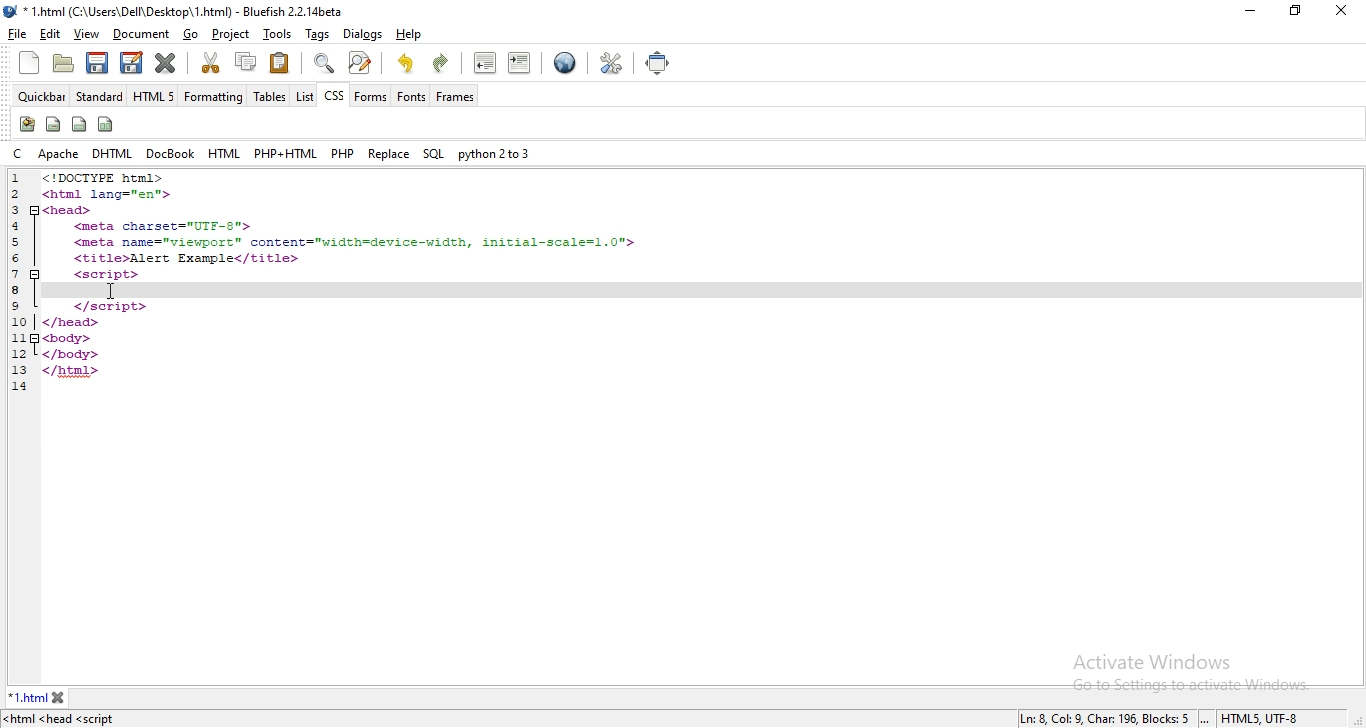  I want to click on tables, so click(266, 97).